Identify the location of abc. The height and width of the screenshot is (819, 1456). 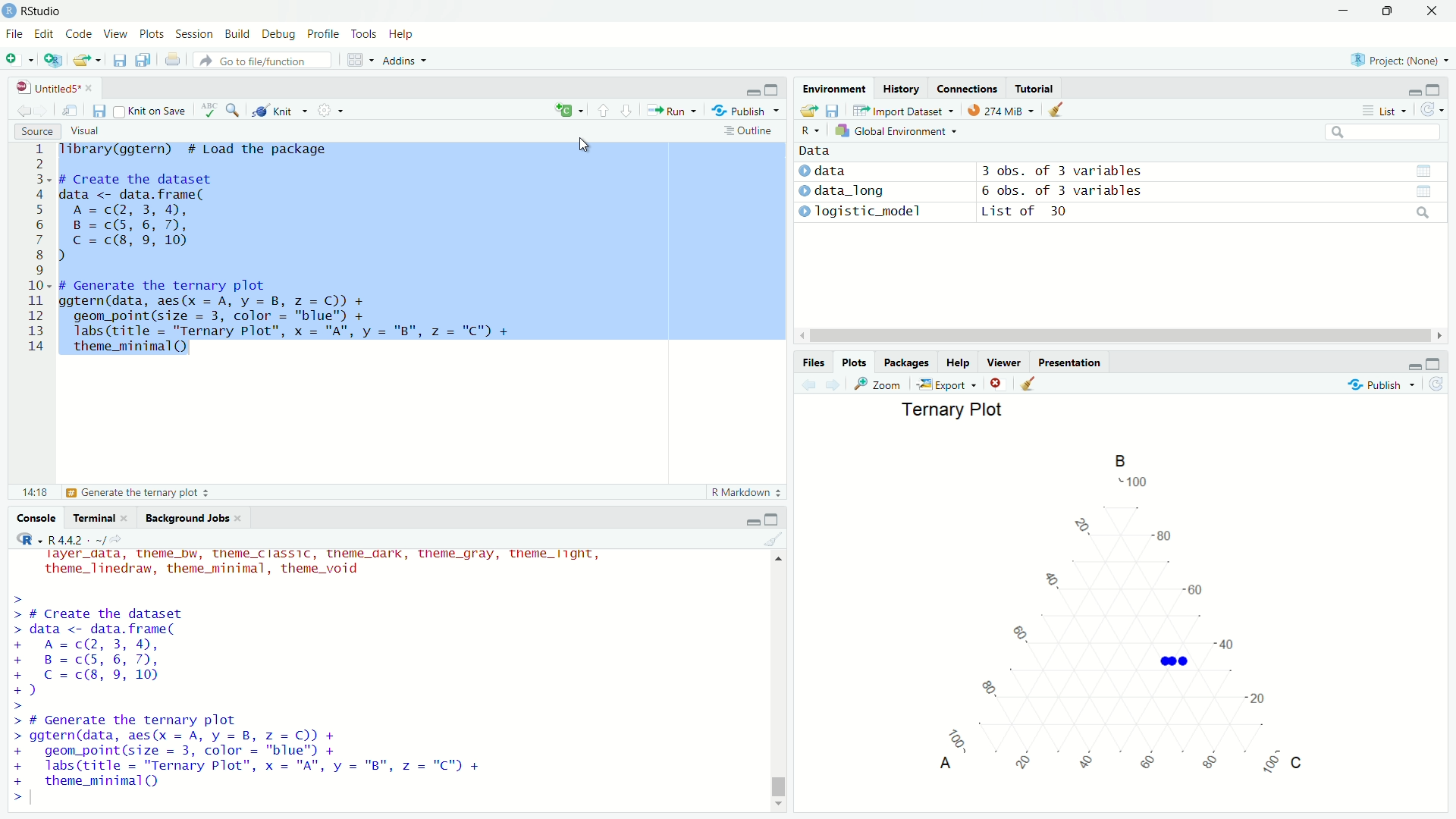
(209, 114).